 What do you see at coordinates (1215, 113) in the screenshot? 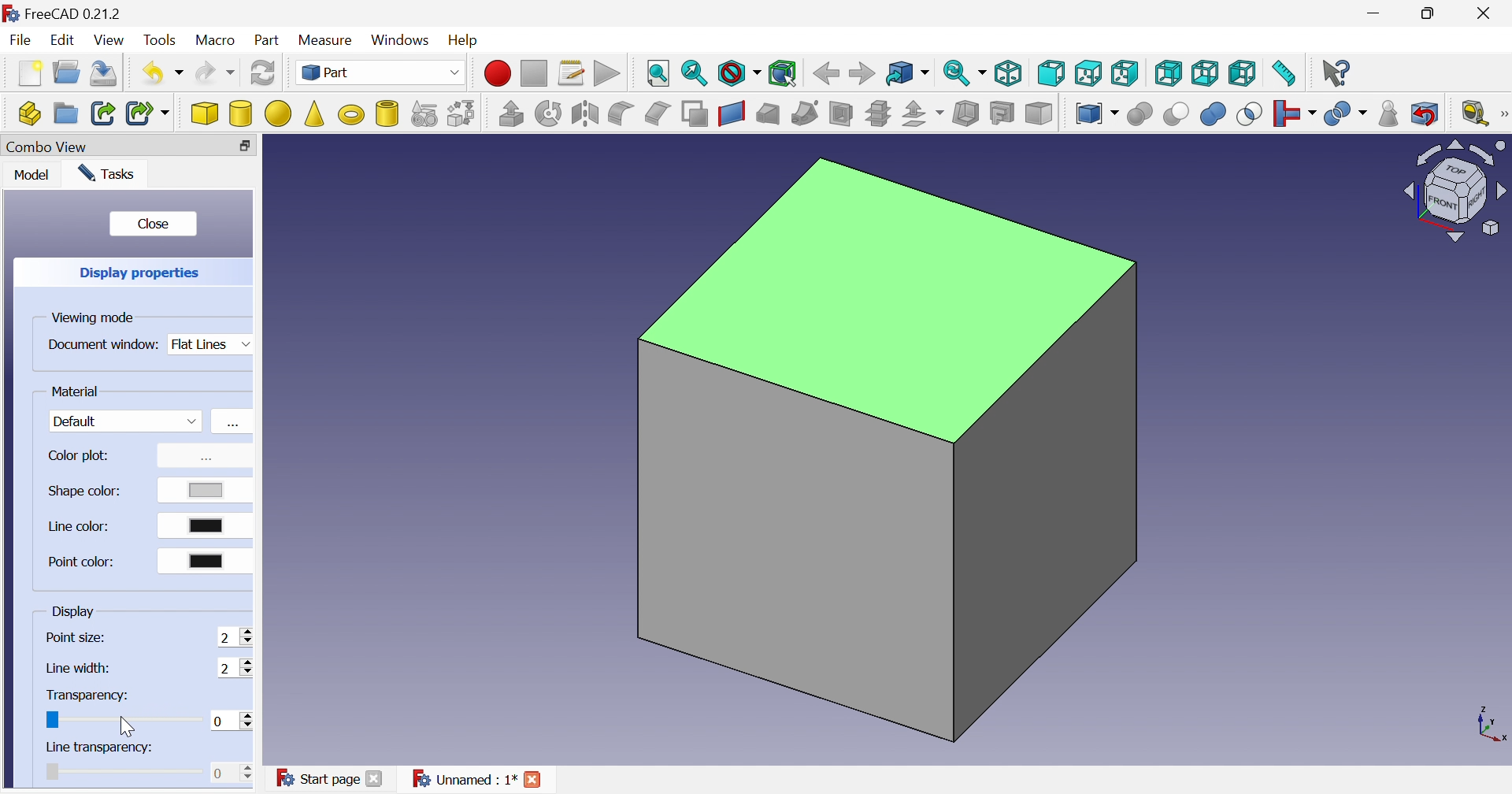
I see `Union` at bounding box center [1215, 113].